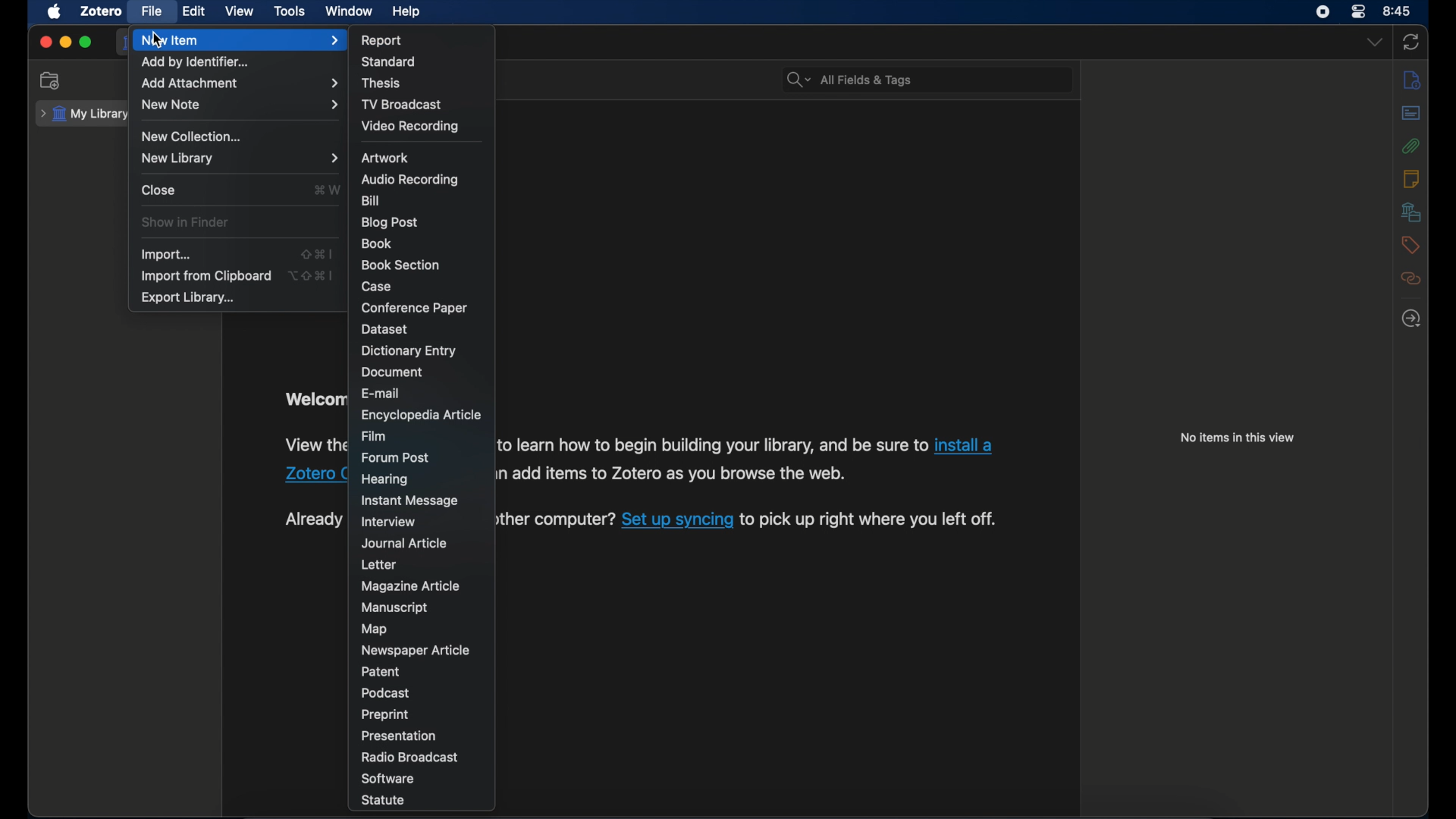  What do you see at coordinates (1373, 43) in the screenshot?
I see `dropdown` at bounding box center [1373, 43].